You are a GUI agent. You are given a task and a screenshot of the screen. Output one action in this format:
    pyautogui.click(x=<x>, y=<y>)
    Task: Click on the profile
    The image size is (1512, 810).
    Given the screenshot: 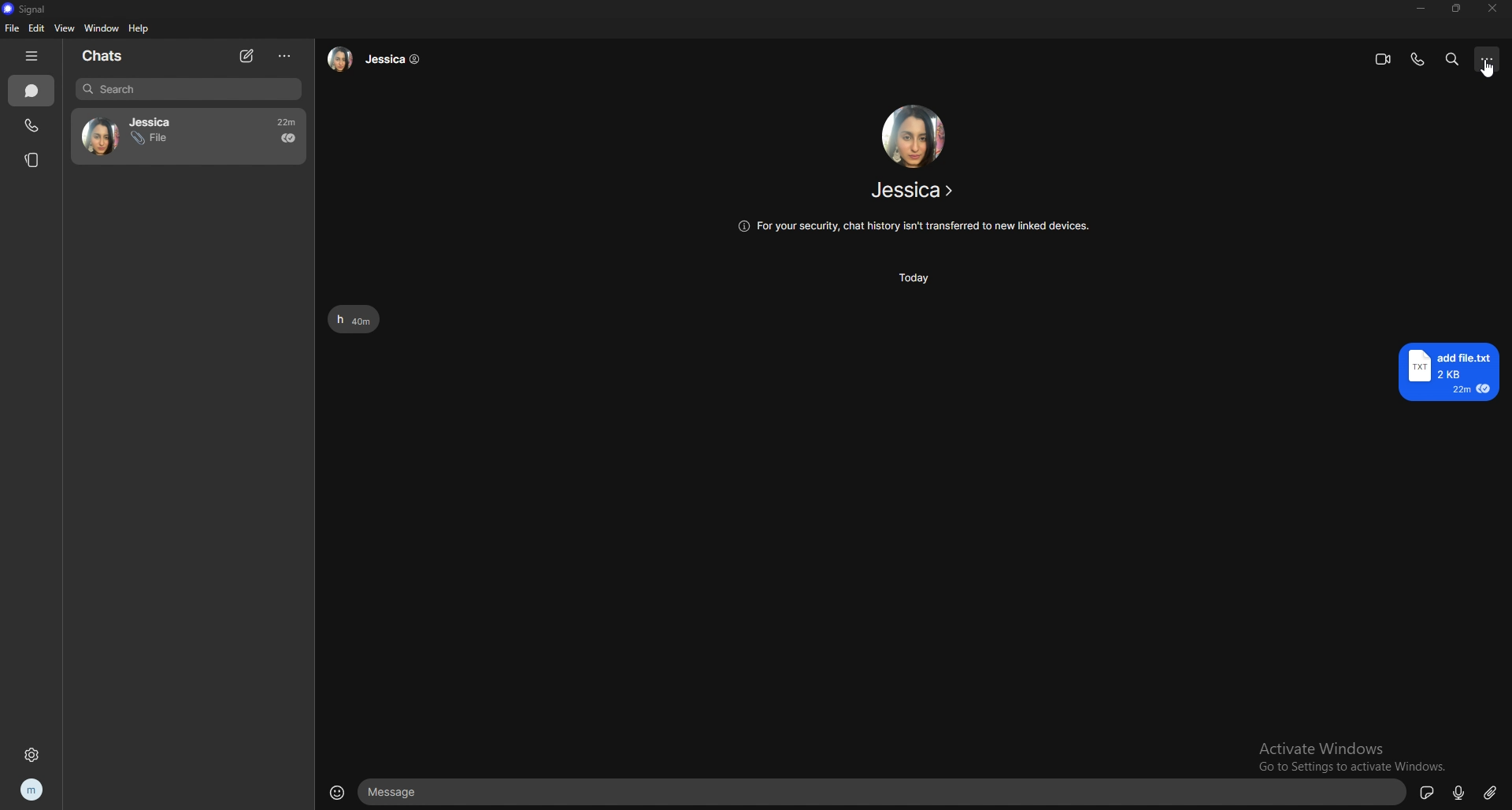 What is the action you would take?
    pyautogui.click(x=32, y=790)
    